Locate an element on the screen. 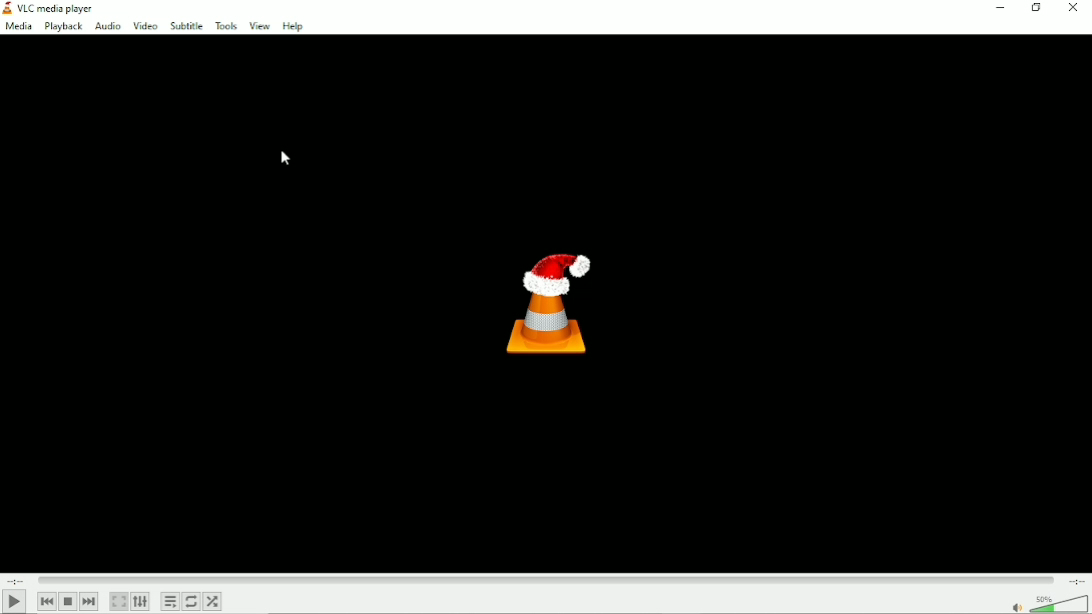  Random is located at coordinates (212, 601).